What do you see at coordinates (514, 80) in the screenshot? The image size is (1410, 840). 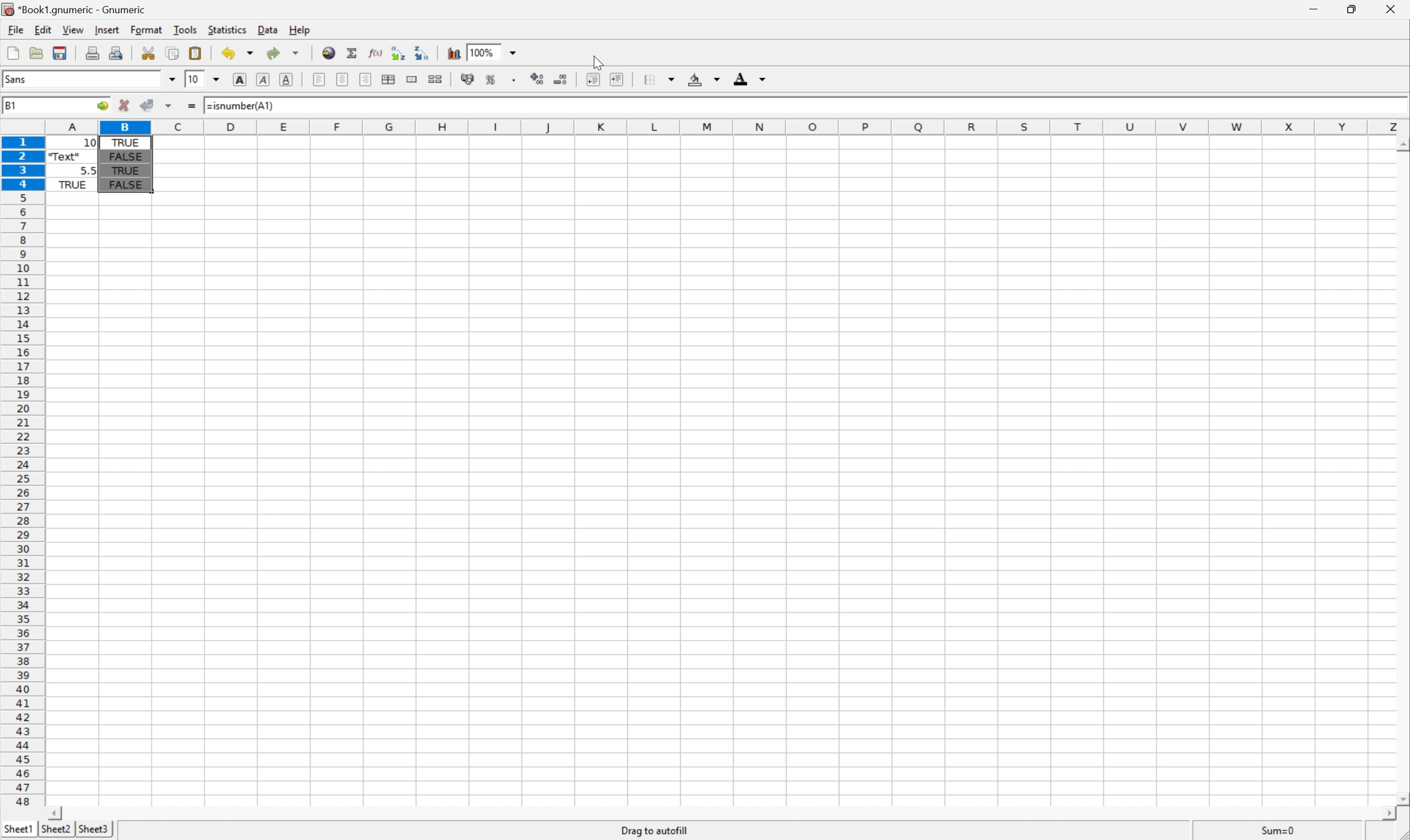 I see `Set the format of the selected cells to include a thousands separator` at bounding box center [514, 80].